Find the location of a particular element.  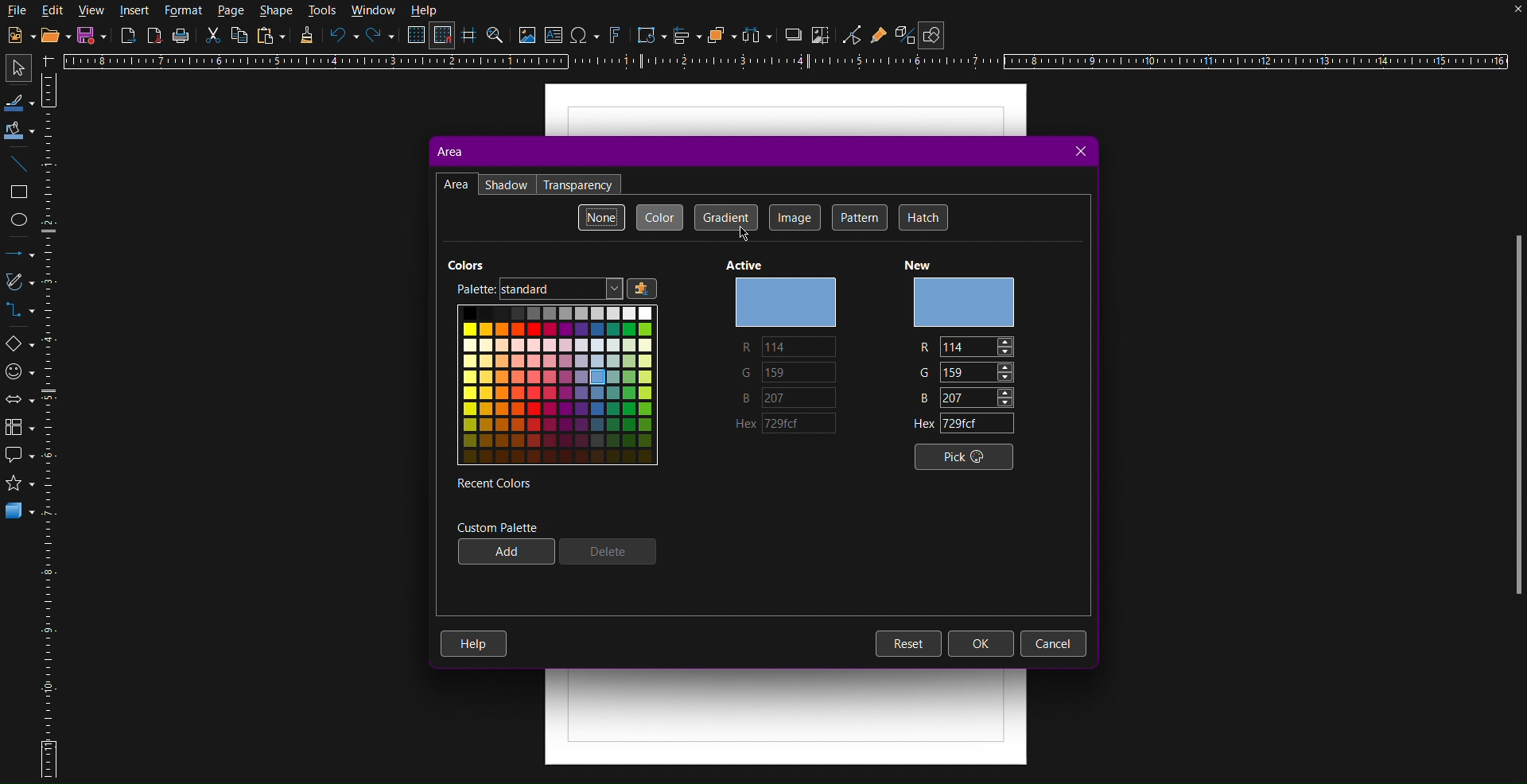

Transparency is located at coordinates (580, 184).